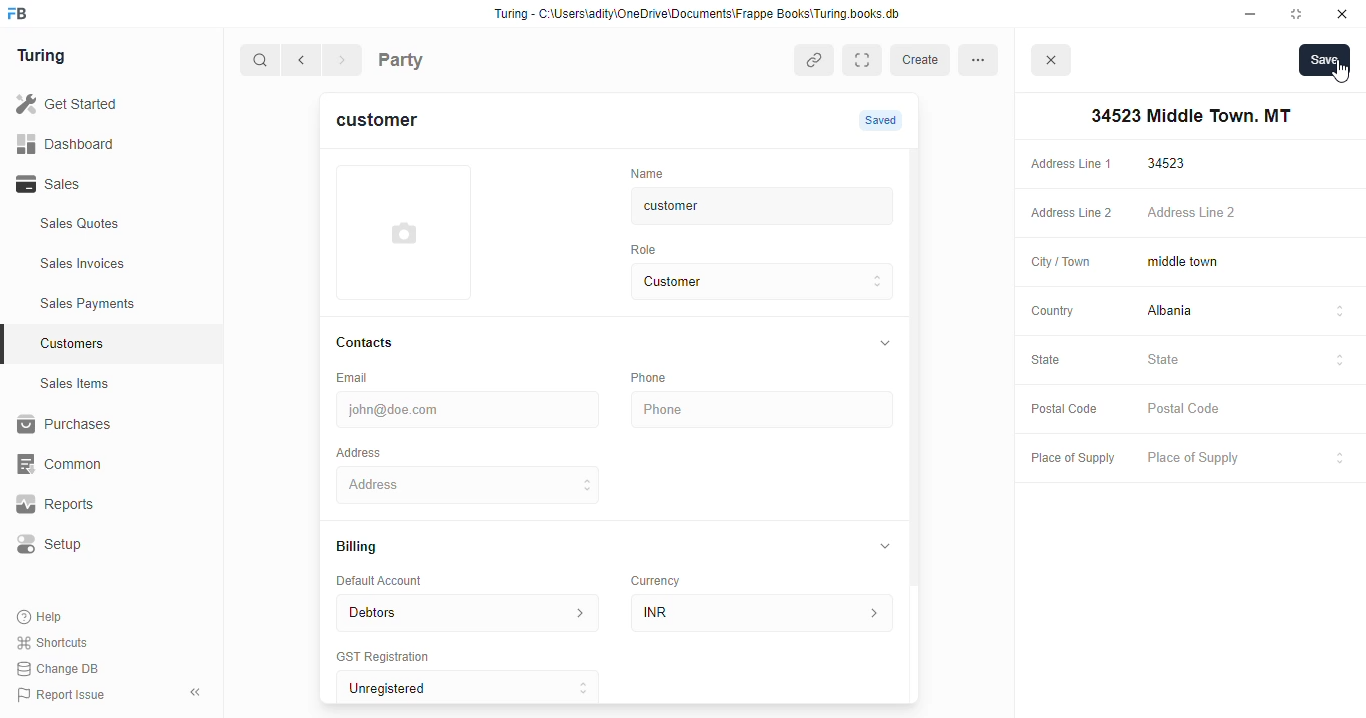 The width and height of the screenshot is (1366, 718). I want to click on Phone, so click(765, 410).